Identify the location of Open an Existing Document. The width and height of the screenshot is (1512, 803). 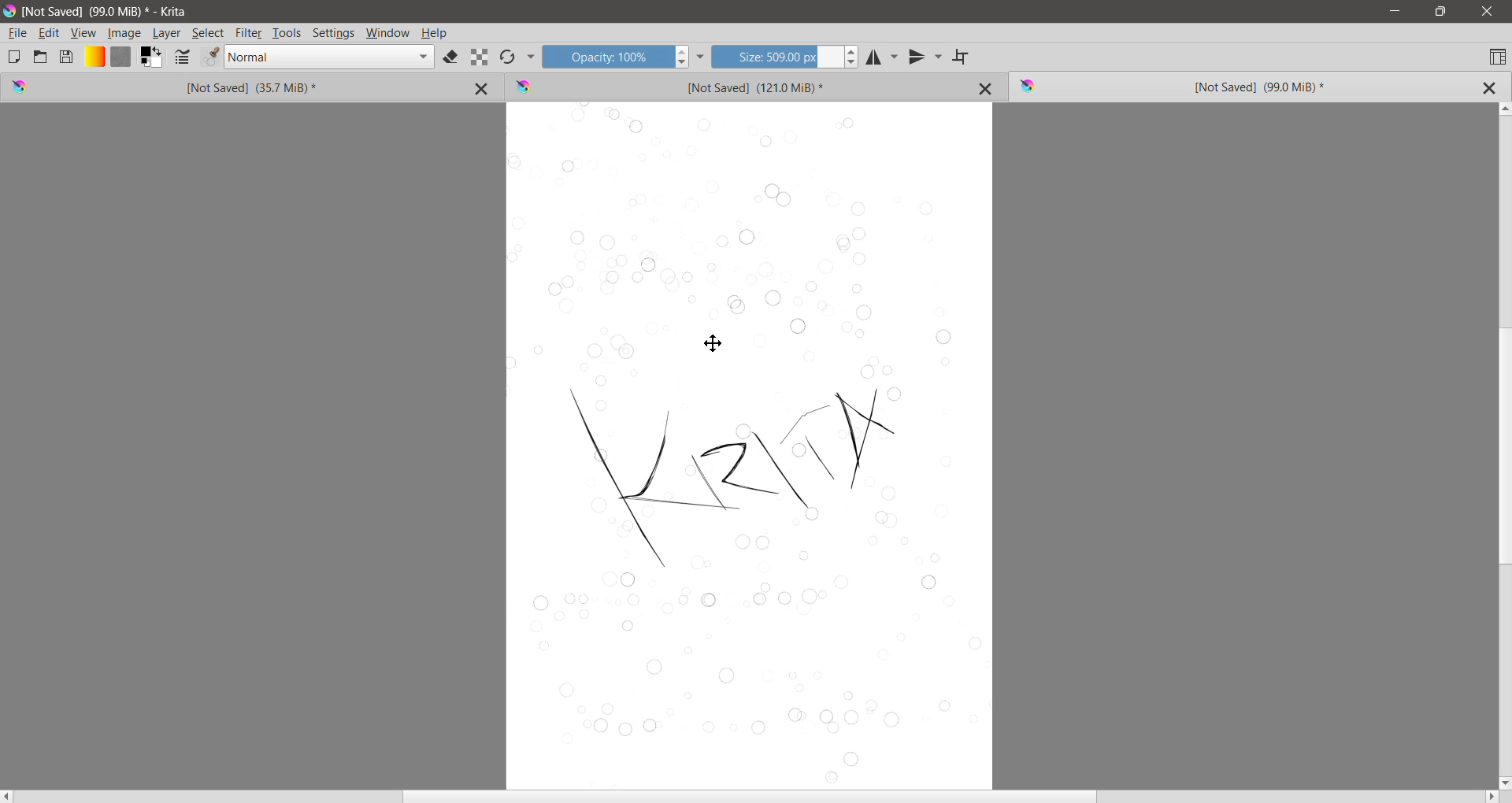
(40, 56).